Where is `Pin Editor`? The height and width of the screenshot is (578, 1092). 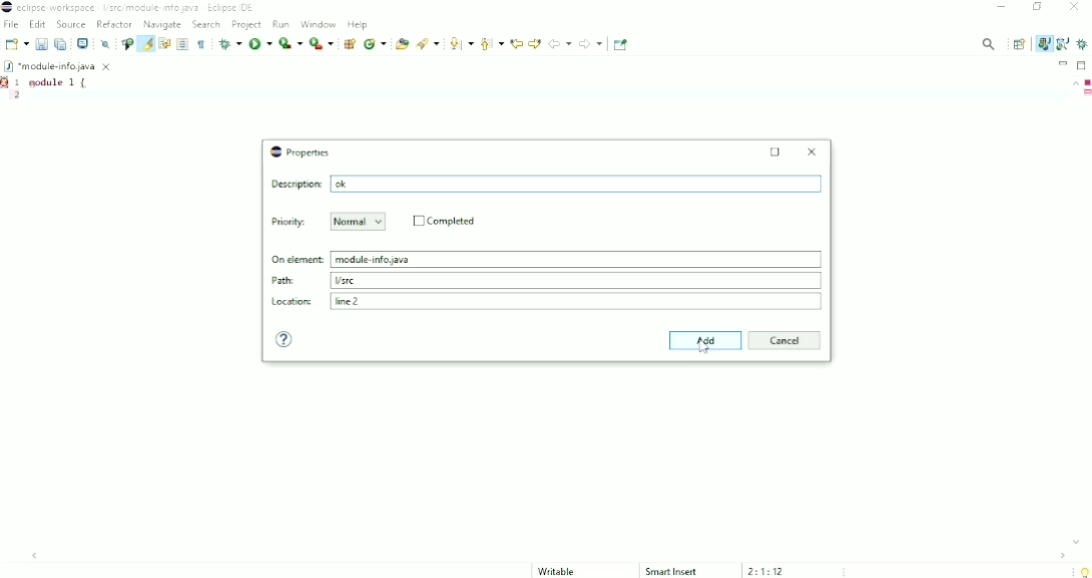
Pin Editor is located at coordinates (623, 44).